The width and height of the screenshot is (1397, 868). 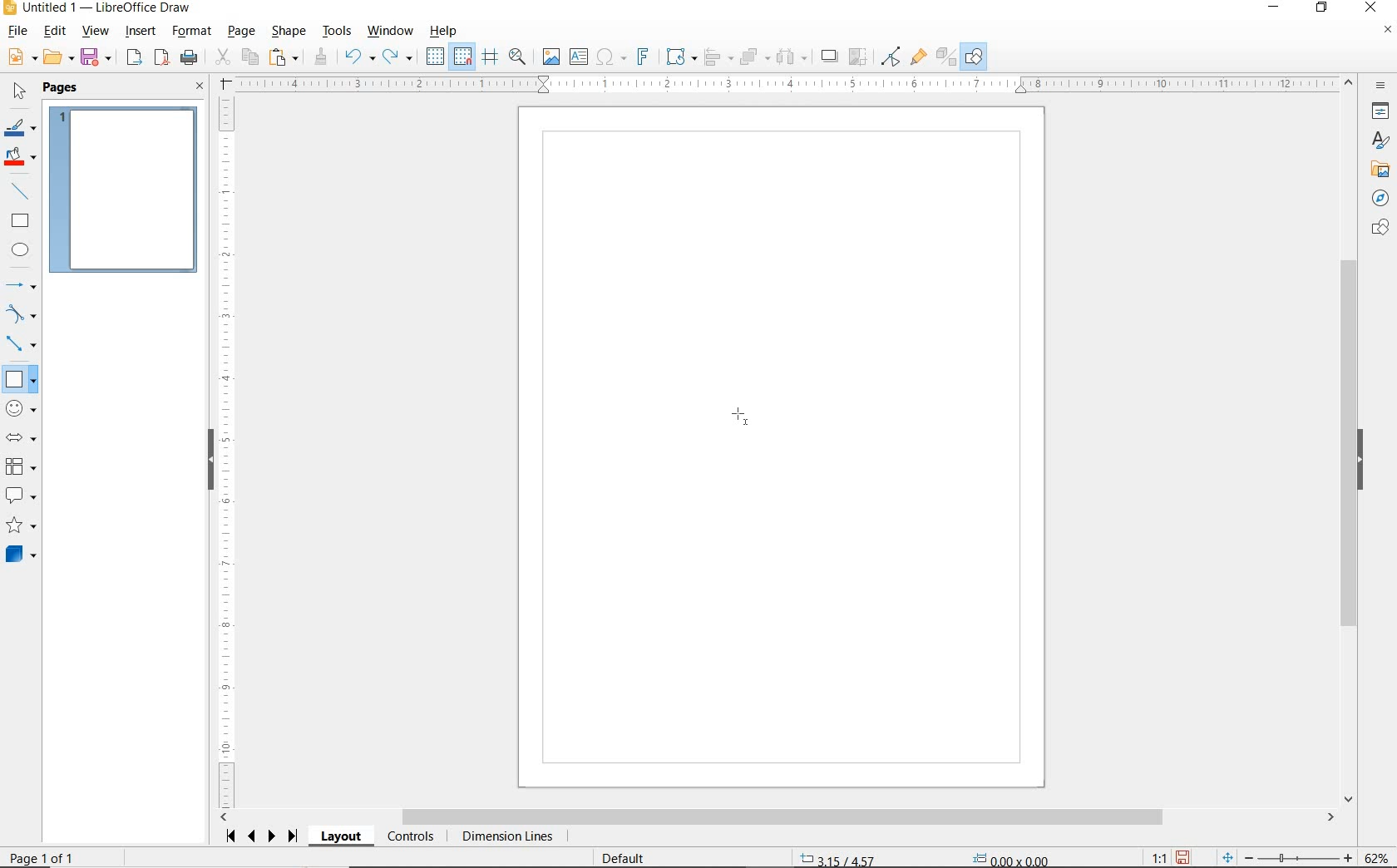 What do you see at coordinates (222, 57) in the screenshot?
I see `CUT` at bounding box center [222, 57].